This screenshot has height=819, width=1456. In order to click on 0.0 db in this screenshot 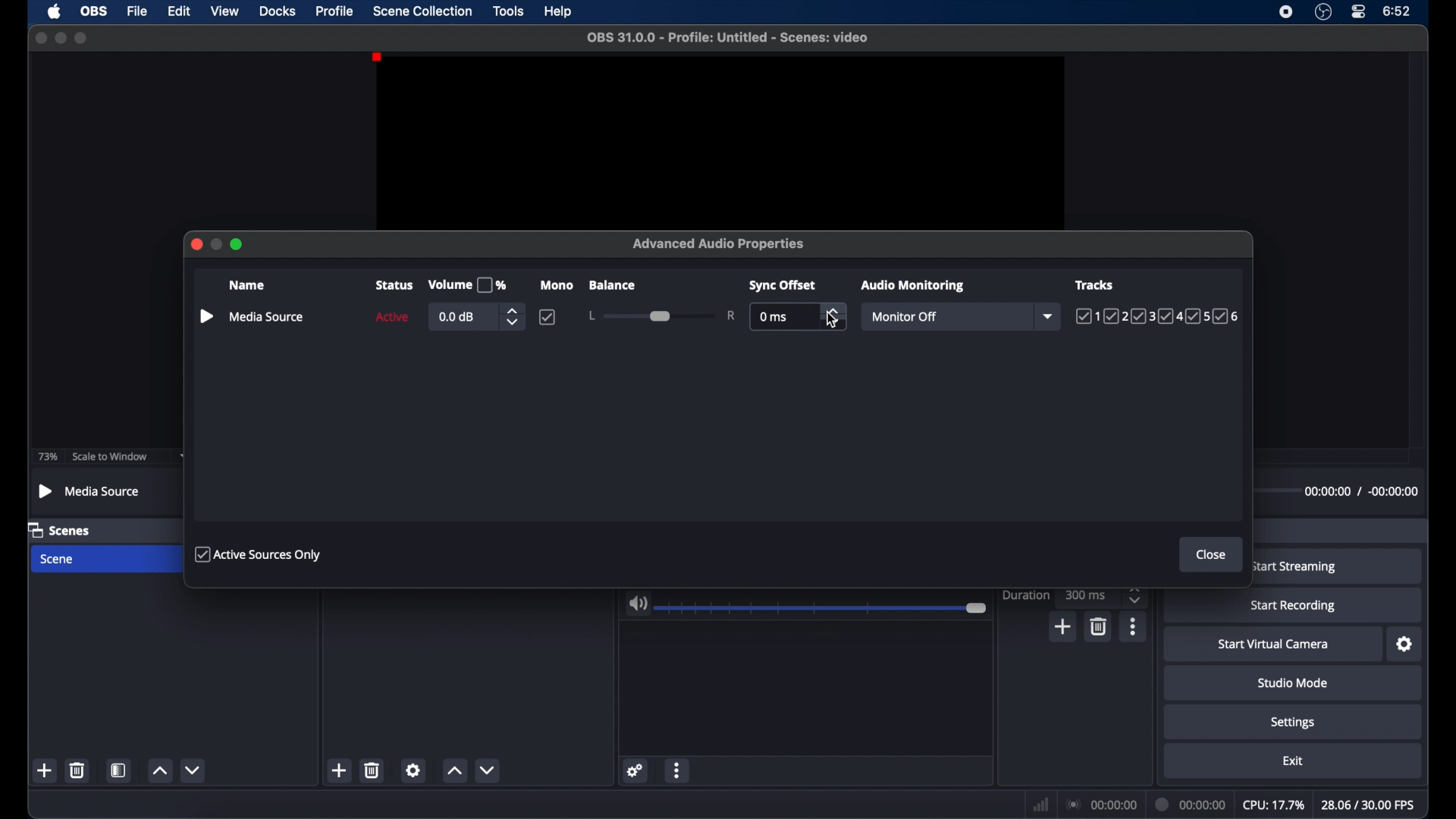, I will do `click(458, 317)`.